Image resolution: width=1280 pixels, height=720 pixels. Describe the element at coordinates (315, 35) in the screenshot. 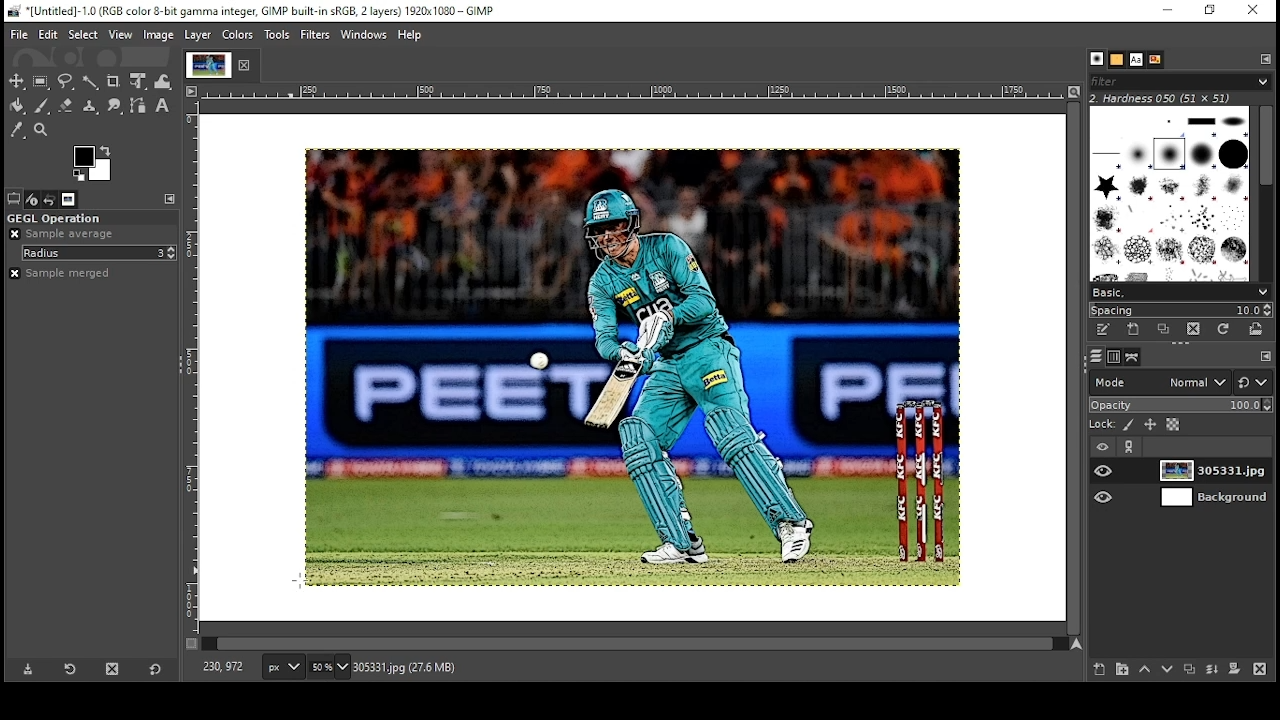

I see `filters` at that location.